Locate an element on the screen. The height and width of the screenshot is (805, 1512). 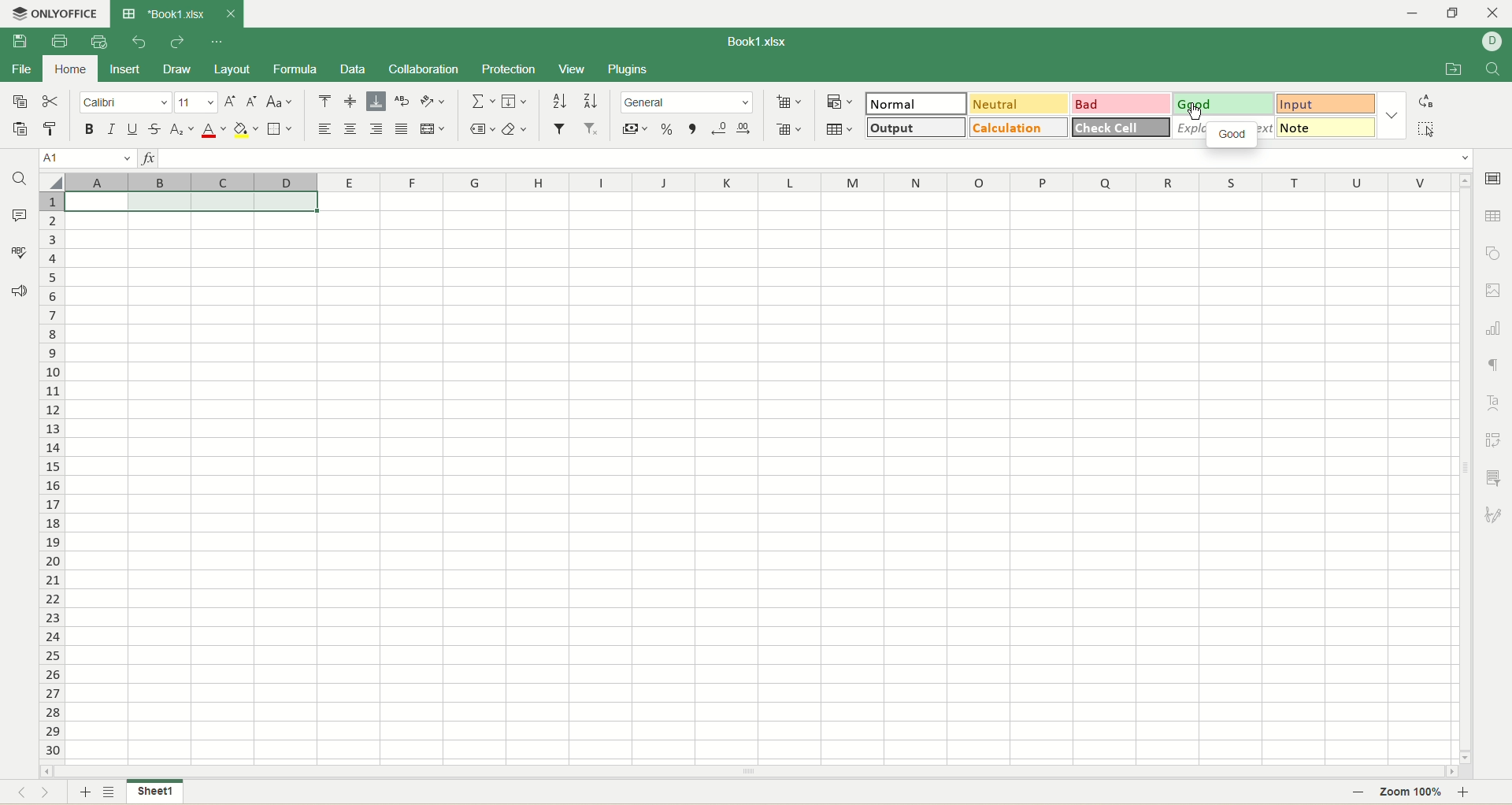
sheet list is located at coordinates (111, 793).